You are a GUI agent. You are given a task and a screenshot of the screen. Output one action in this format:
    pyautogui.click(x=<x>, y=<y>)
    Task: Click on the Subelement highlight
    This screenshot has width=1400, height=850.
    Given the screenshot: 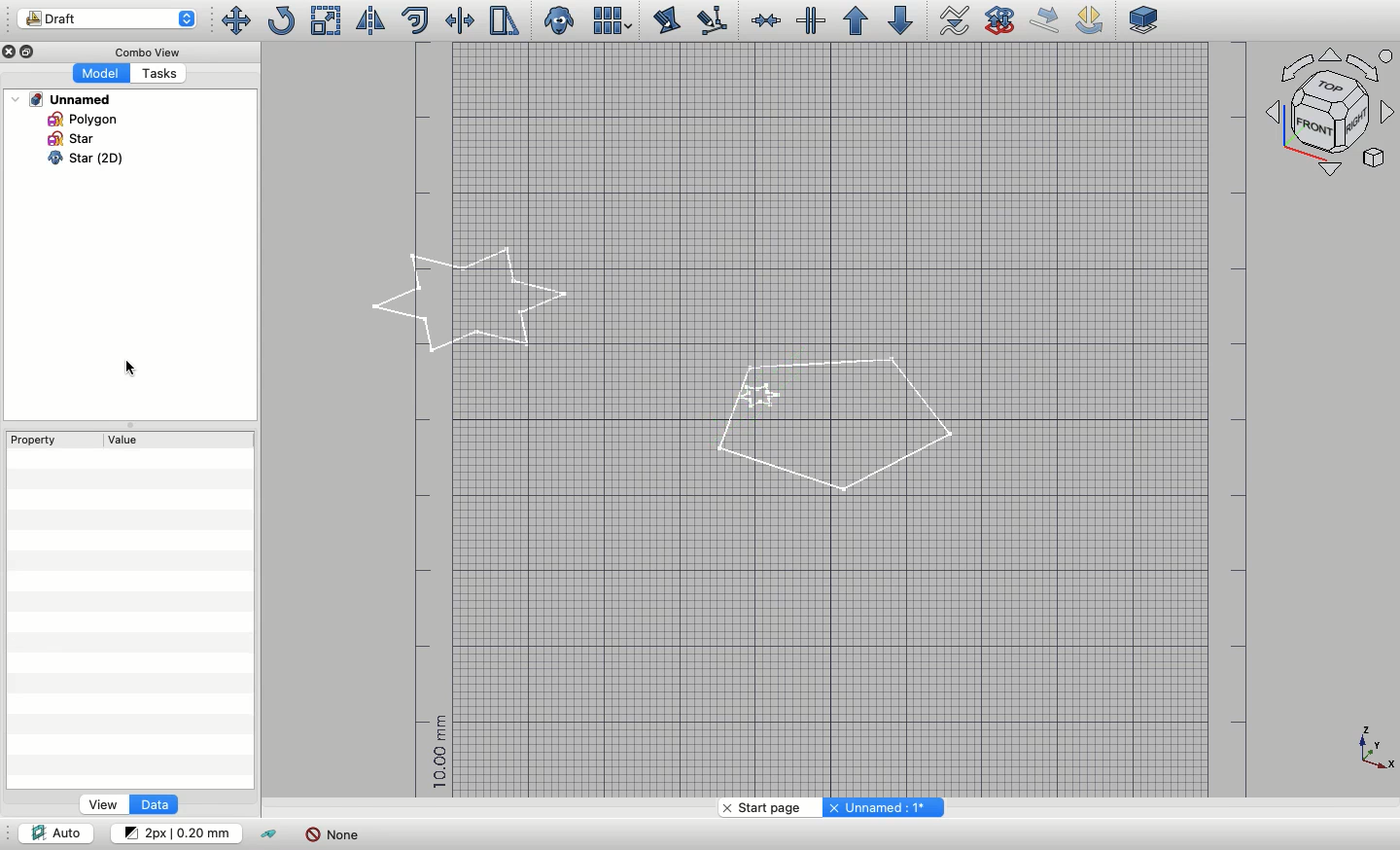 What is the action you would take?
    pyautogui.click(x=710, y=21)
    